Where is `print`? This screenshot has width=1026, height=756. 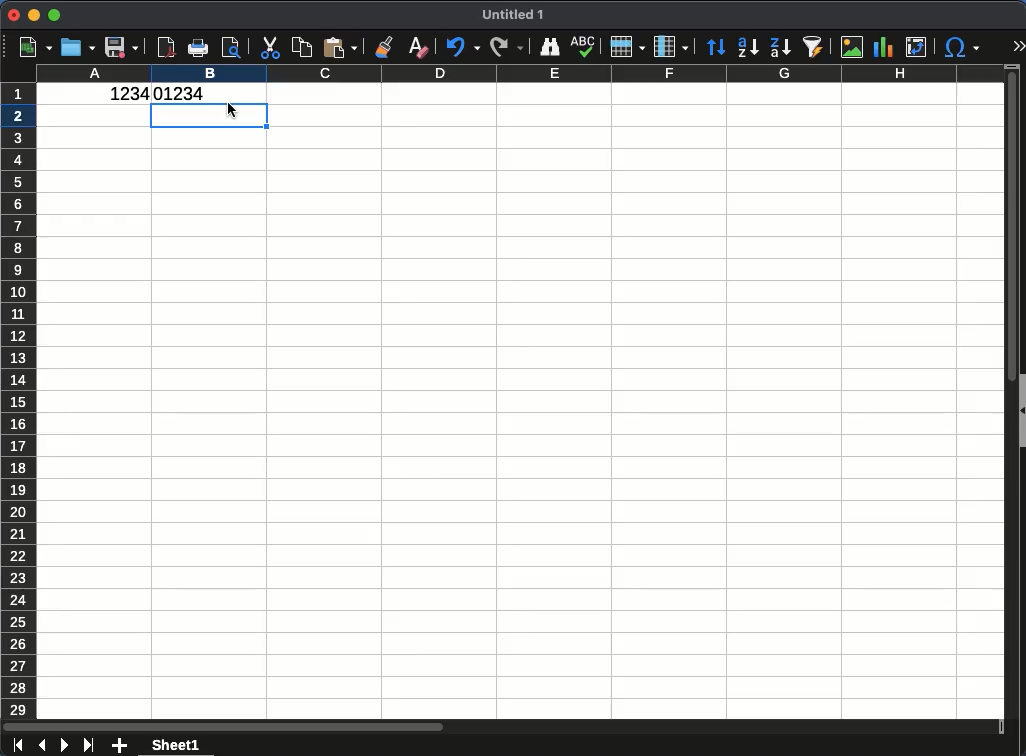
print is located at coordinates (198, 48).